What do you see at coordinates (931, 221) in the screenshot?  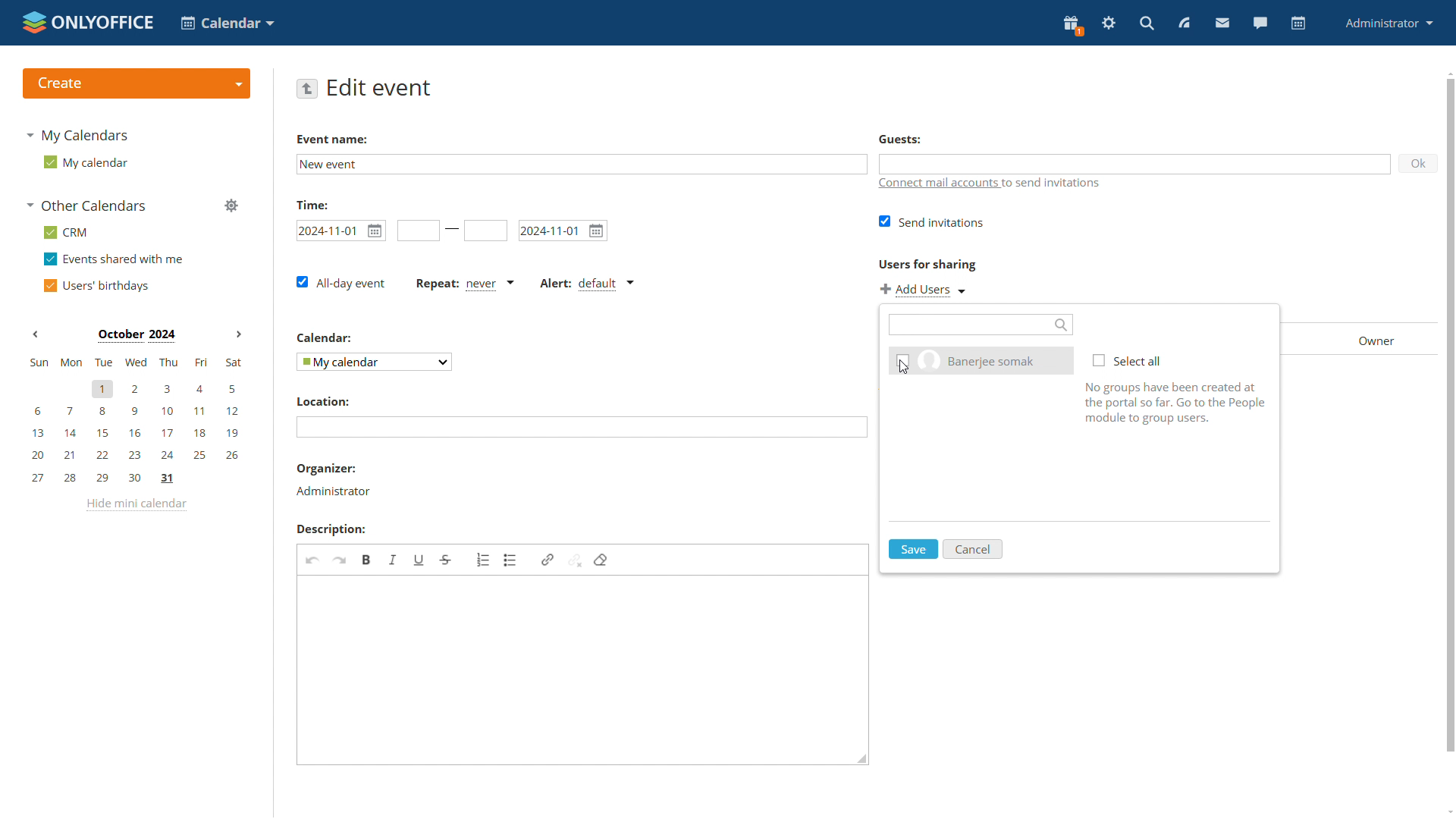 I see `send invitations` at bounding box center [931, 221].